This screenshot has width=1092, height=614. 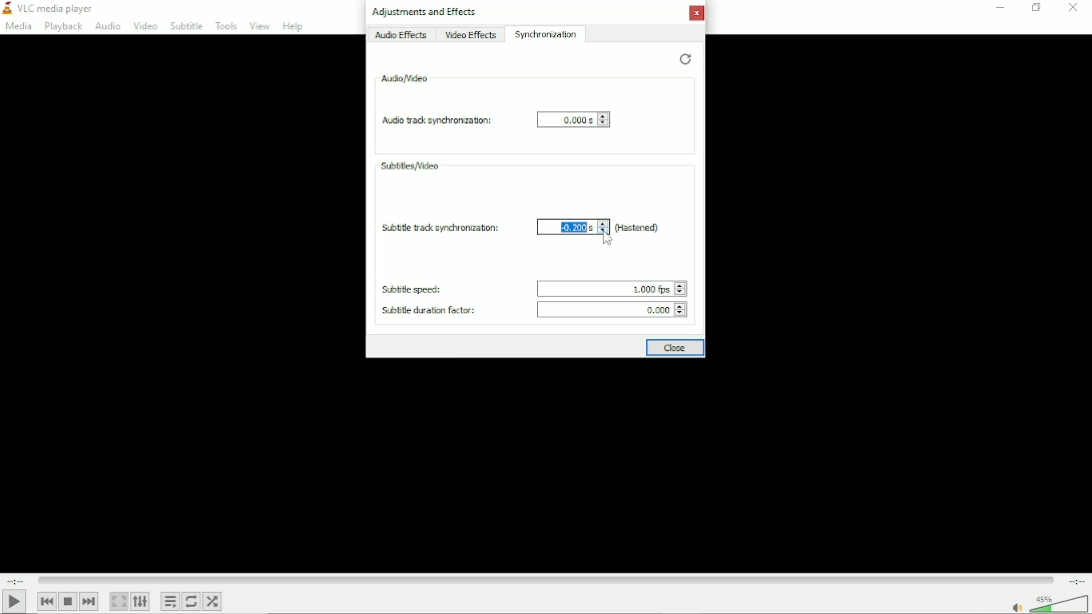 I want to click on Synchronization, so click(x=547, y=35).